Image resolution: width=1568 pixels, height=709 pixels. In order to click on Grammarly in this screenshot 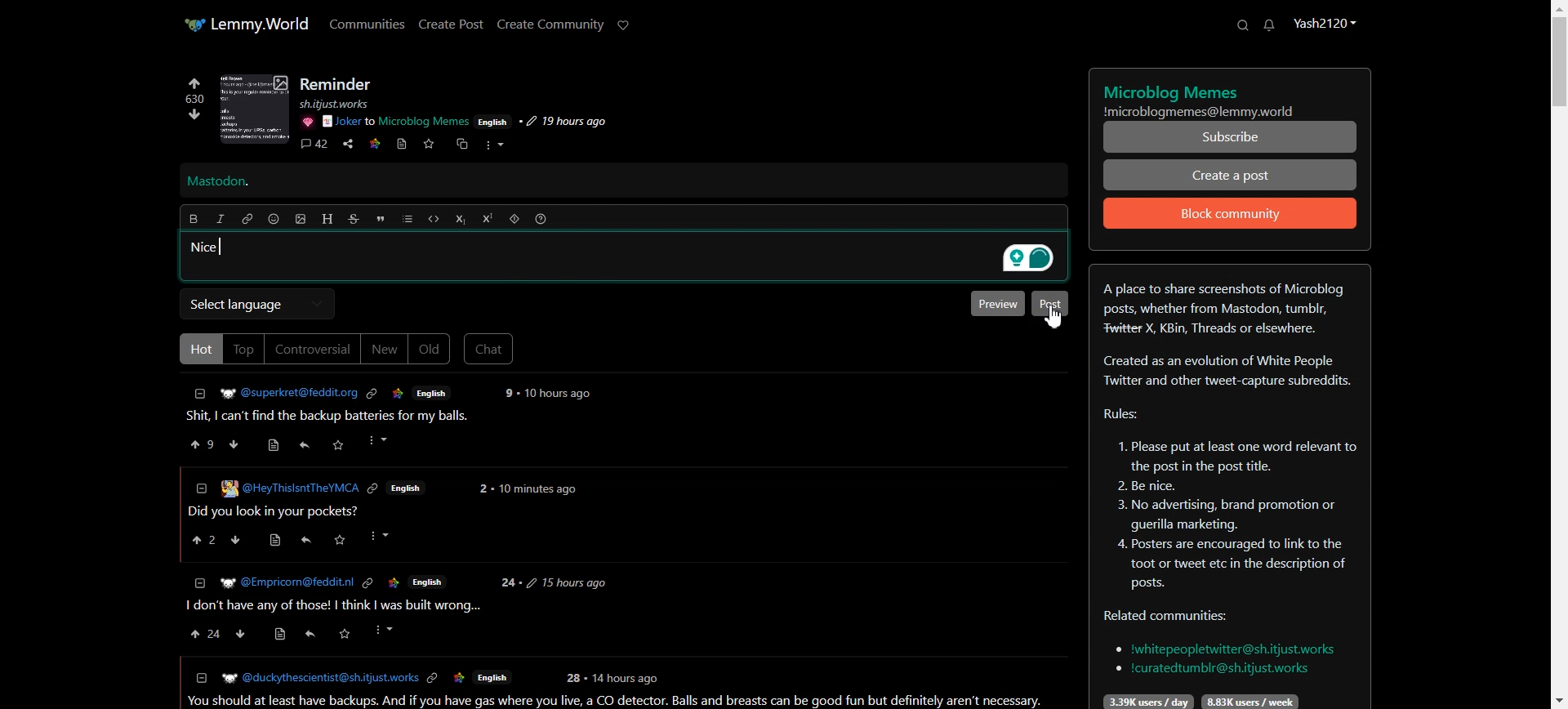, I will do `click(1026, 258)`.